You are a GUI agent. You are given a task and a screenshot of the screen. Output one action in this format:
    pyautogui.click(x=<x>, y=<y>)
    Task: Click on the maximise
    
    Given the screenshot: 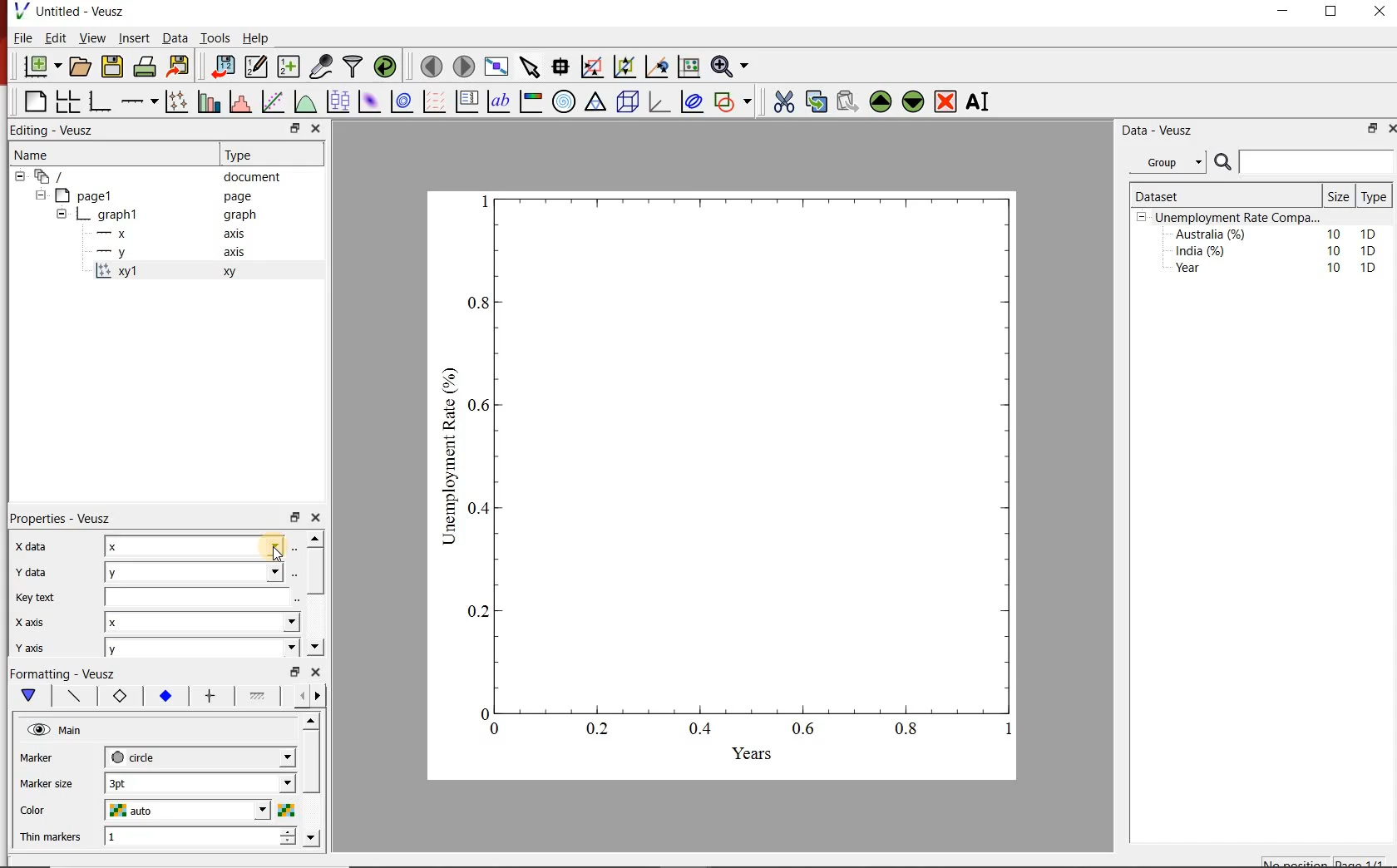 What is the action you would take?
    pyautogui.click(x=1333, y=15)
    